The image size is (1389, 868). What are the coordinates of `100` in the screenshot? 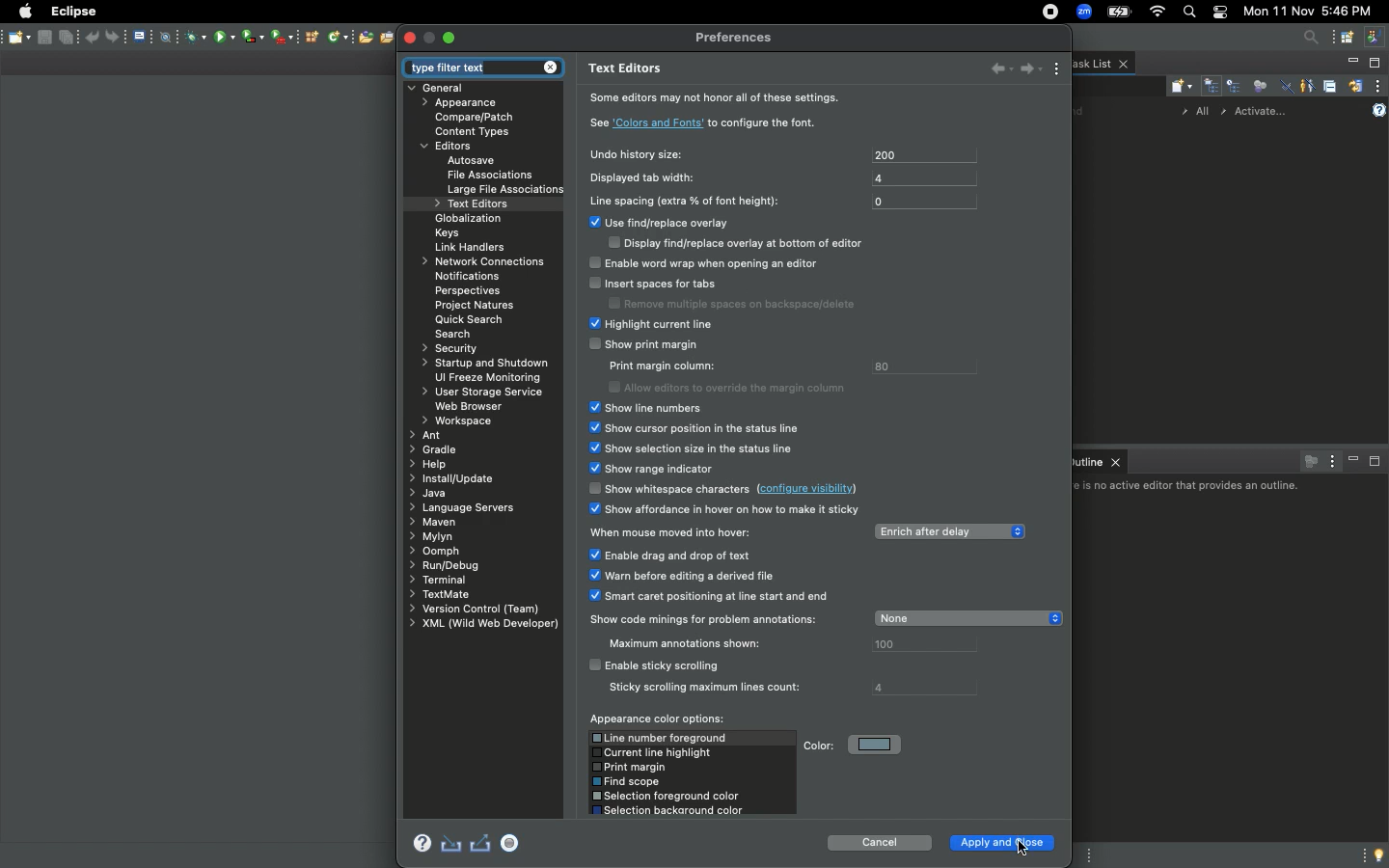 It's located at (921, 646).